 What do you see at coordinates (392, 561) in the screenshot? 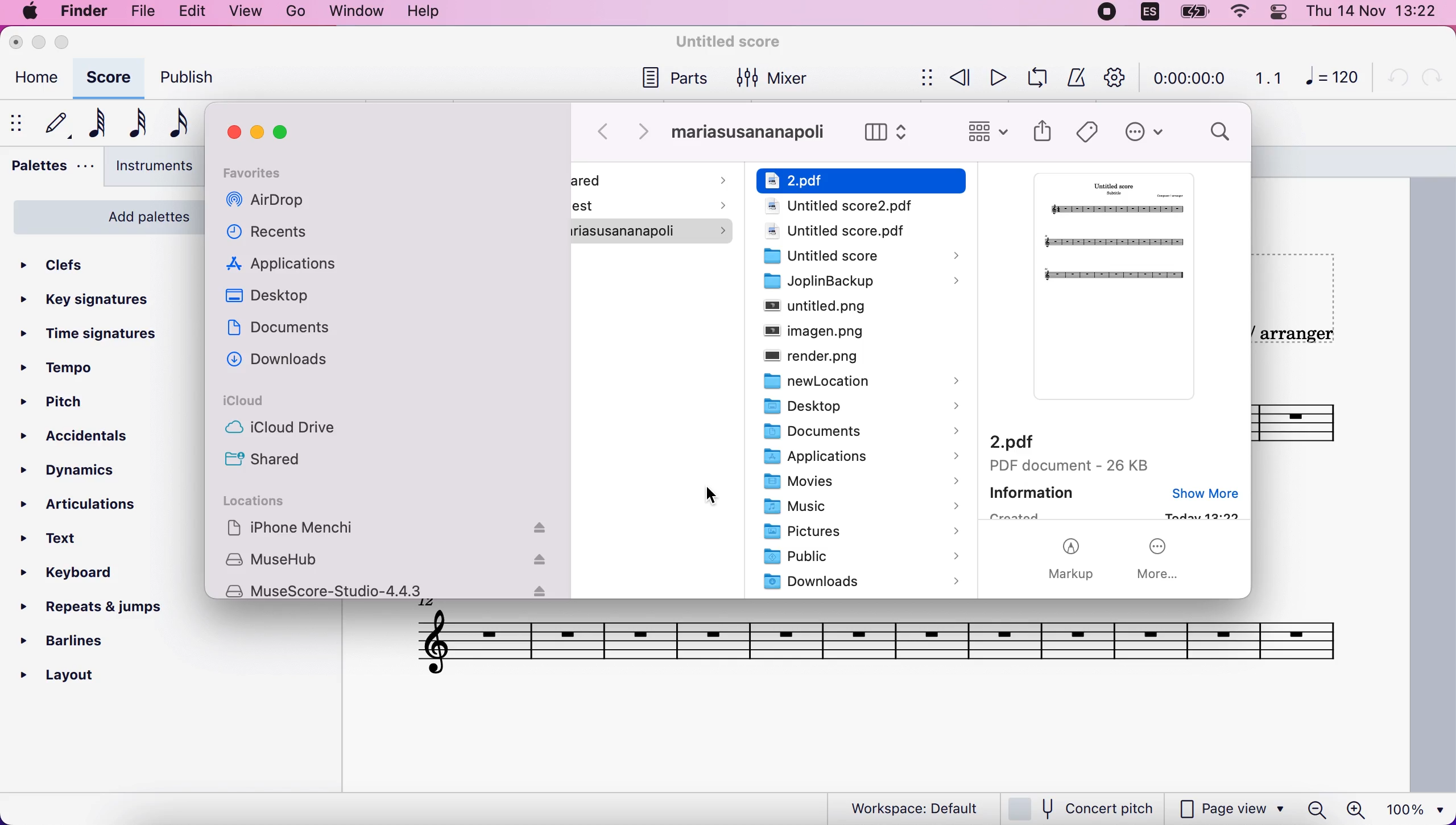
I see `& MuseHub a` at bounding box center [392, 561].